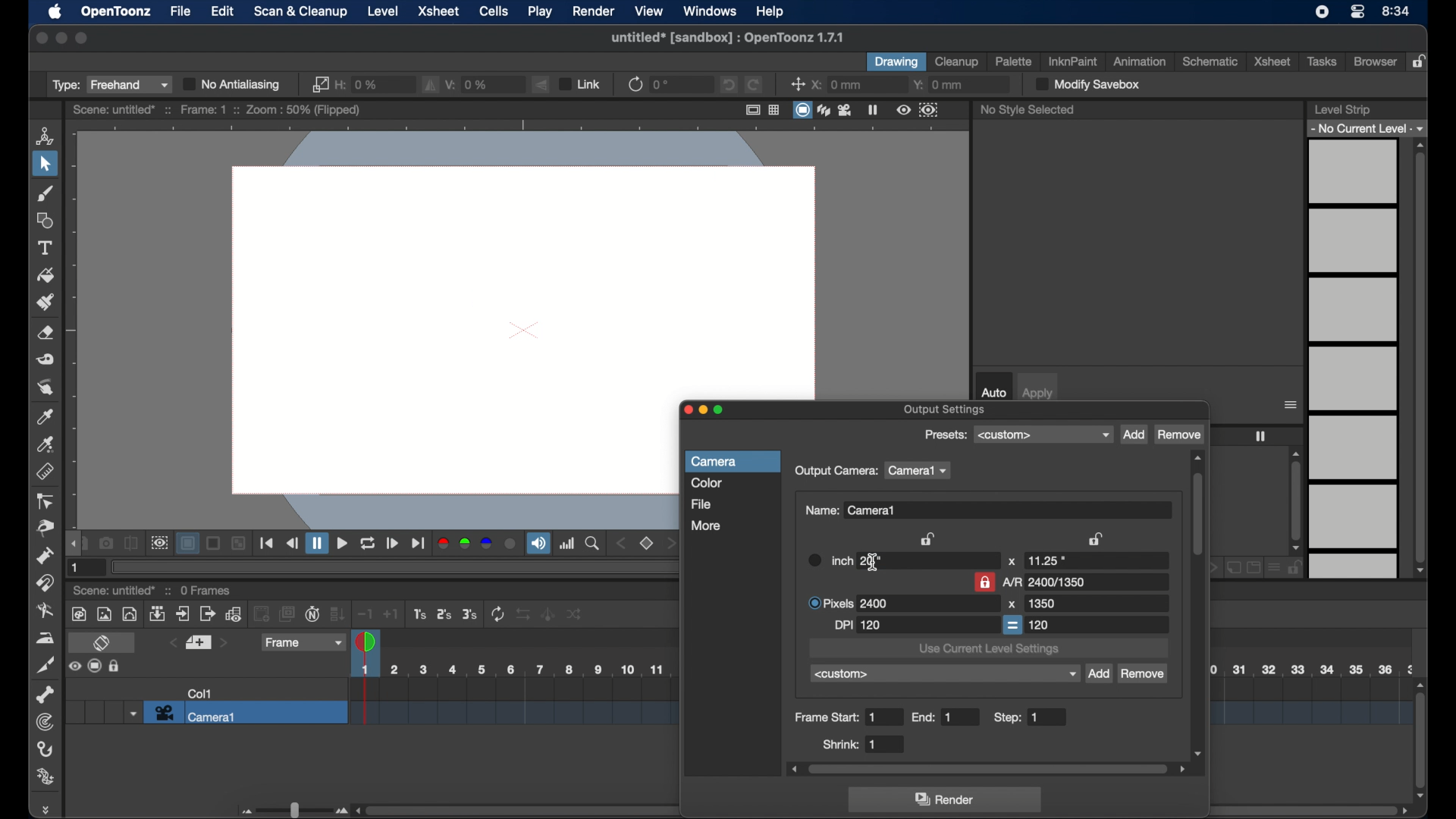 The image size is (1456, 819). What do you see at coordinates (836, 472) in the screenshot?
I see `output camera` at bounding box center [836, 472].